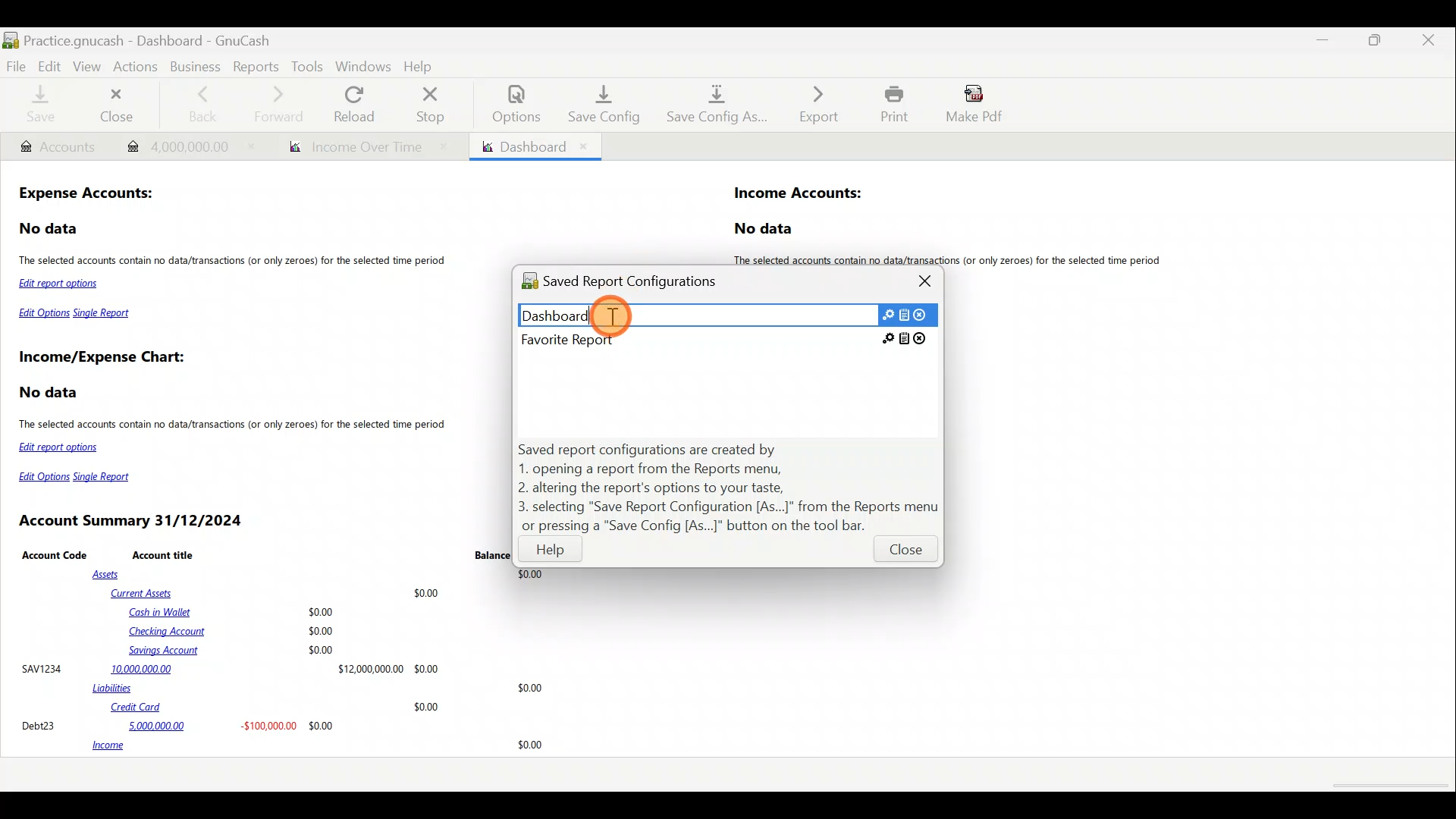  Describe the element at coordinates (551, 553) in the screenshot. I see `Help` at that location.